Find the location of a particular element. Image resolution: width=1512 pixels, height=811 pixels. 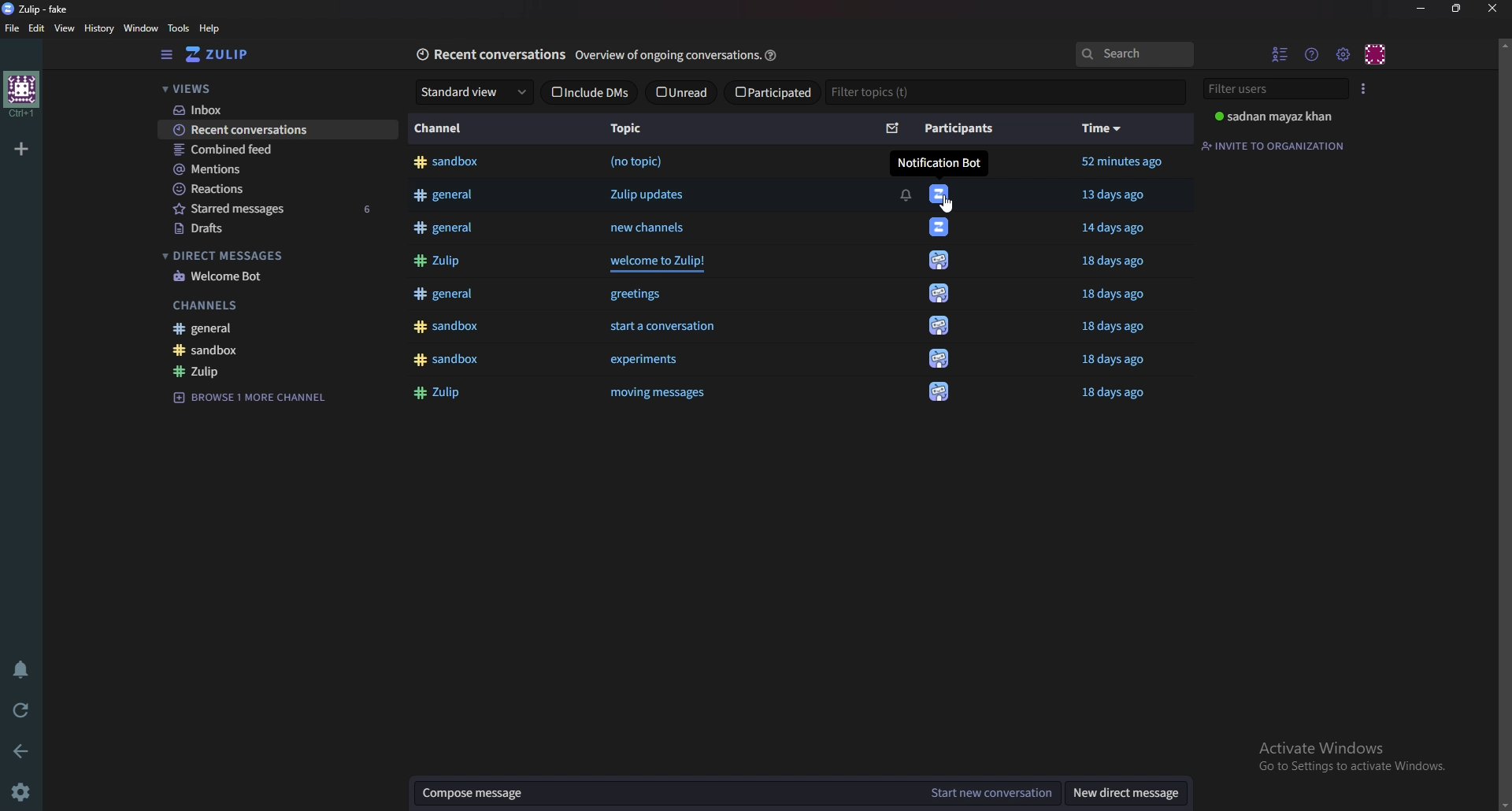

Hide sidebar is located at coordinates (168, 54).